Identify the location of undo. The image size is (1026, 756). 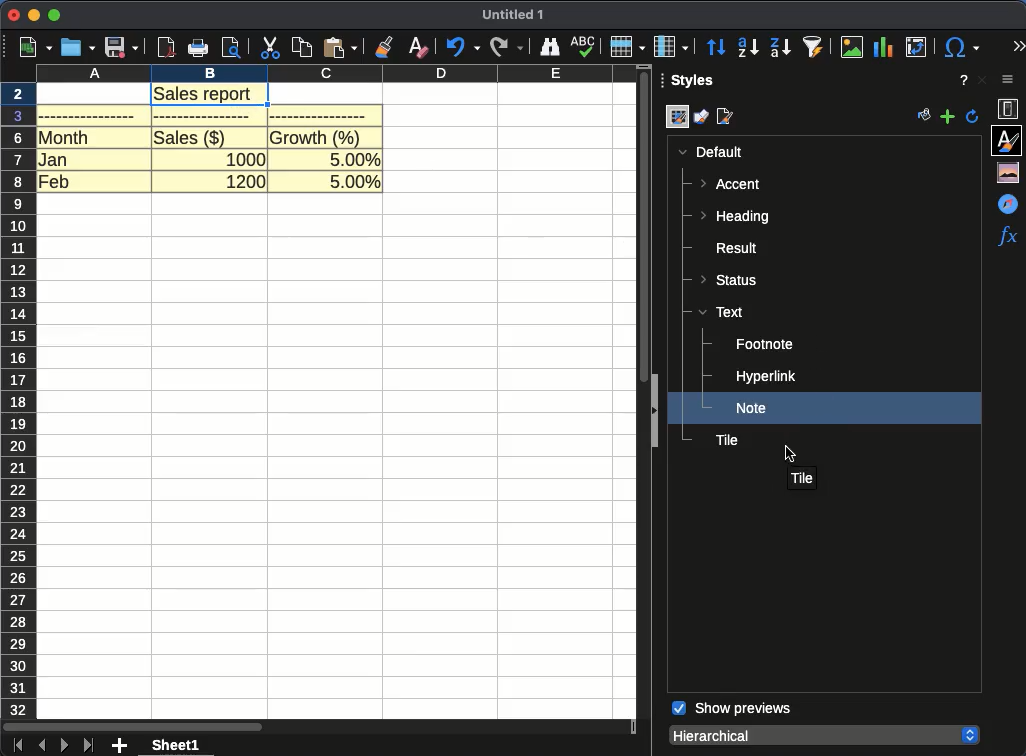
(461, 47).